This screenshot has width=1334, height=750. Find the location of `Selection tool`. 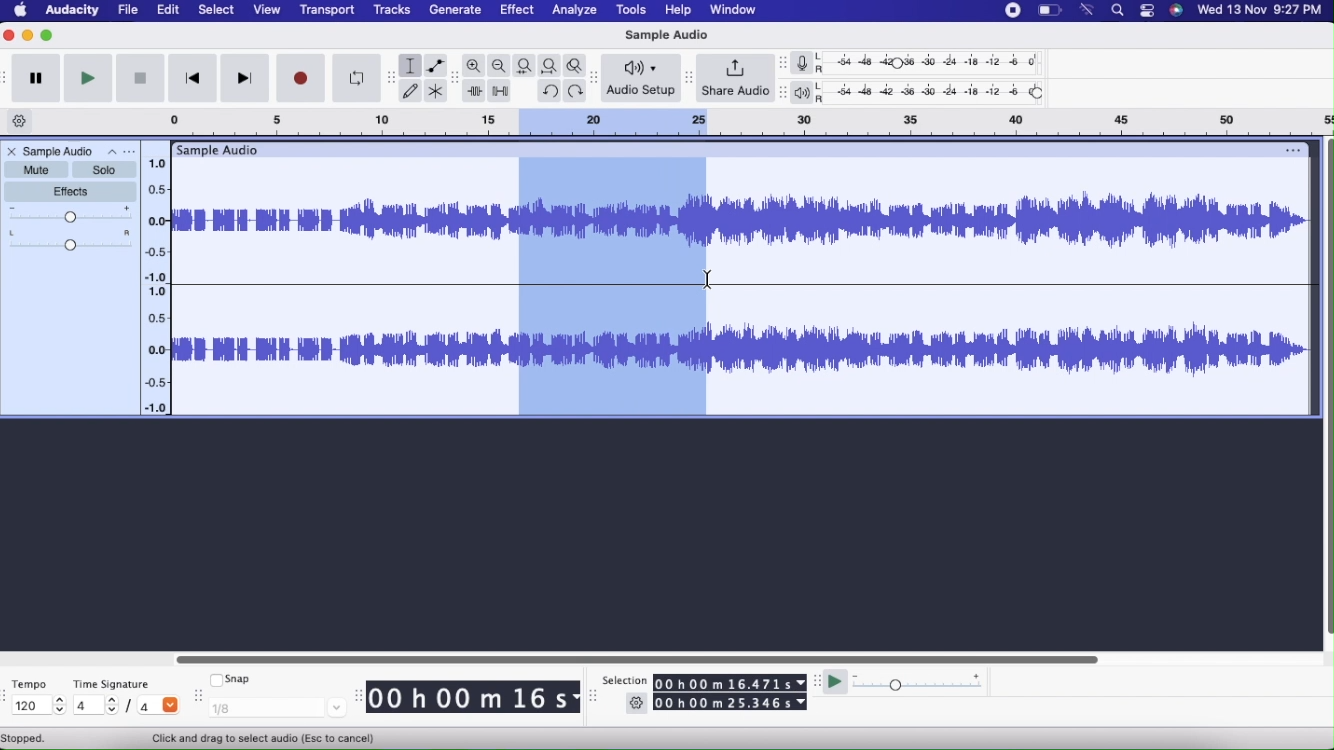

Selection tool is located at coordinates (411, 66).